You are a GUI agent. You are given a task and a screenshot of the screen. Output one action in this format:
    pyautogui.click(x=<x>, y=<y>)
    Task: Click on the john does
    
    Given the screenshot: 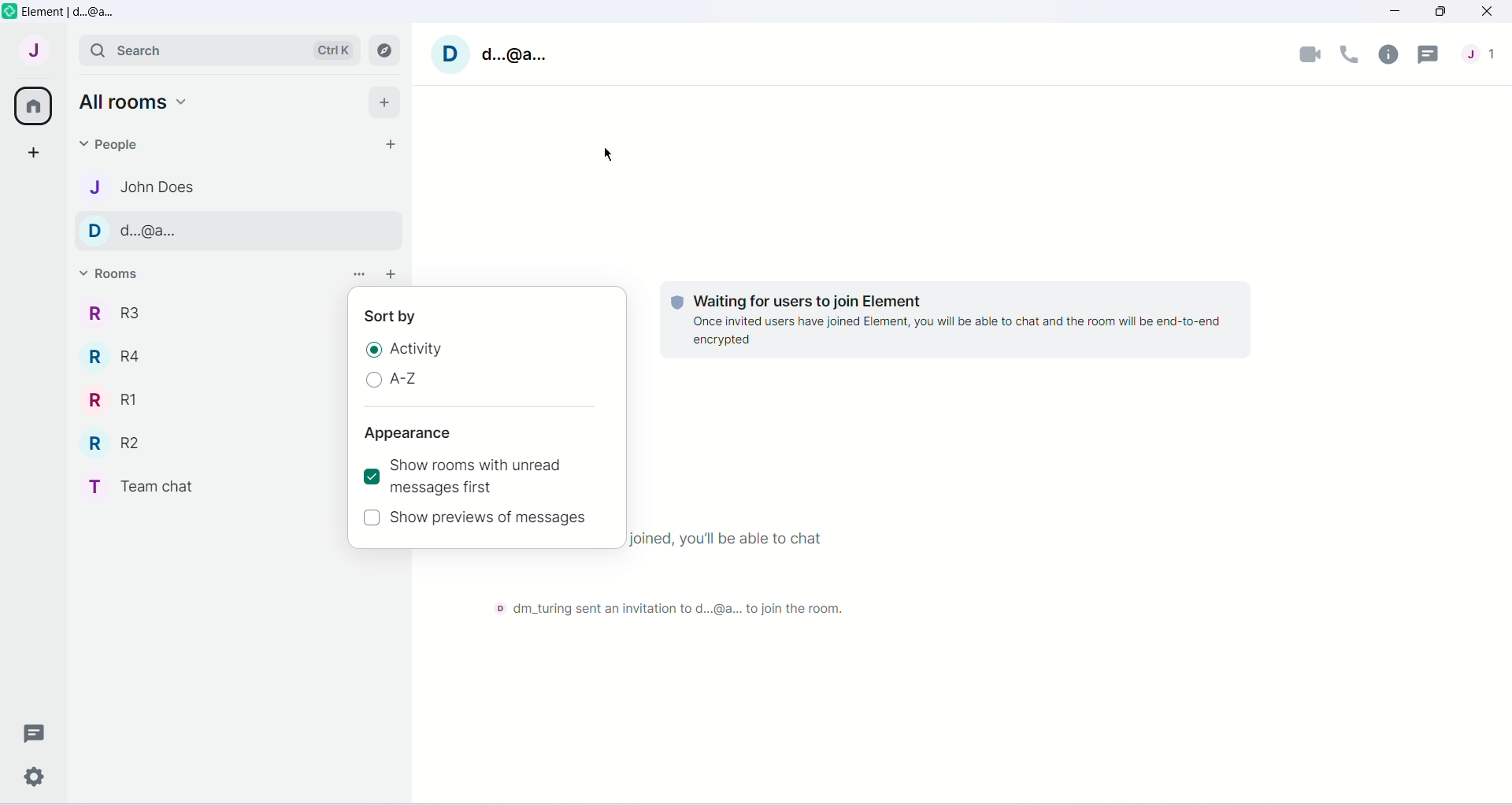 What is the action you would take?
    pyautogui.click(x=154, y=189)
    